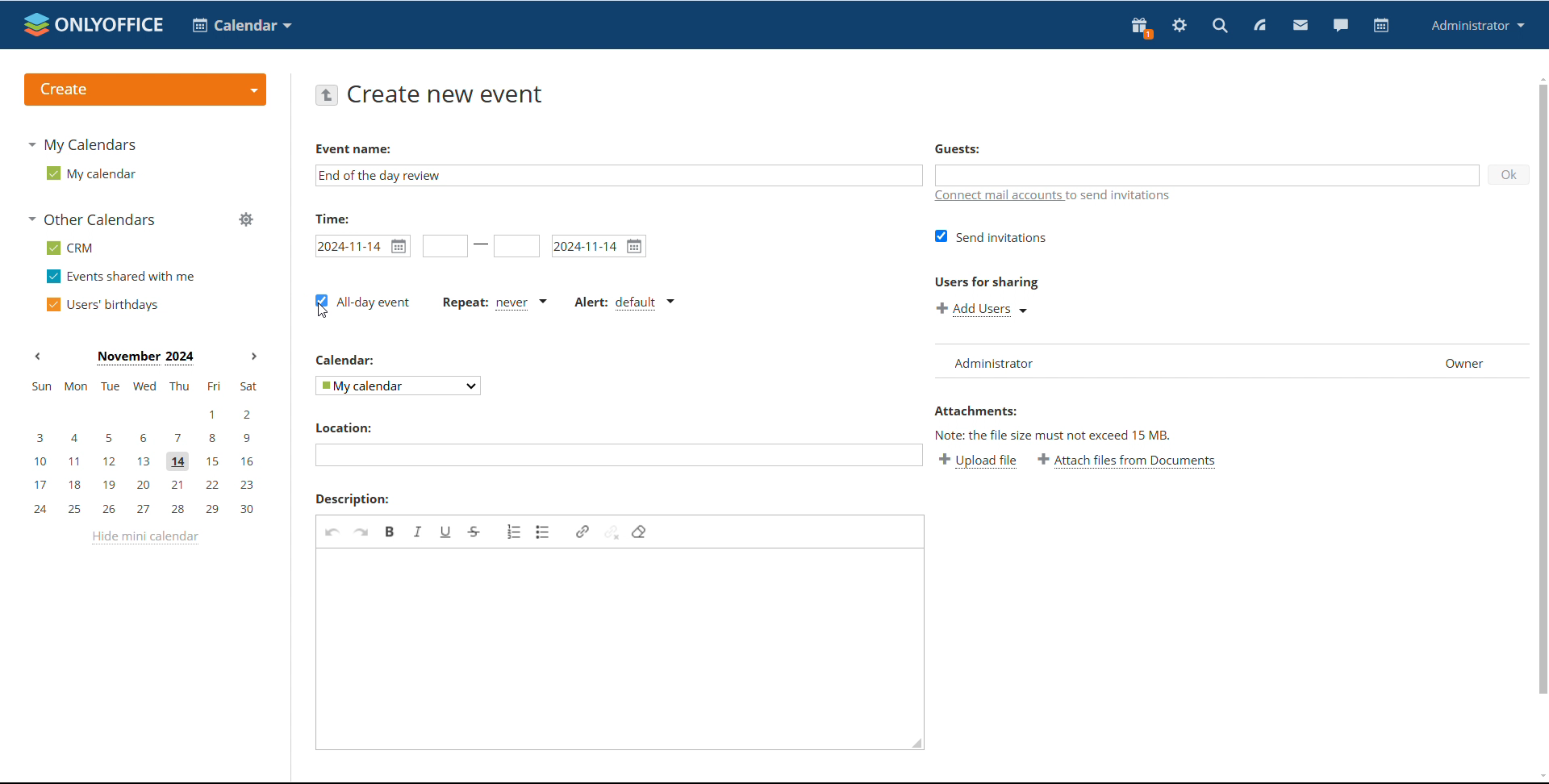  I want to click on settings, so click(1179, 27).